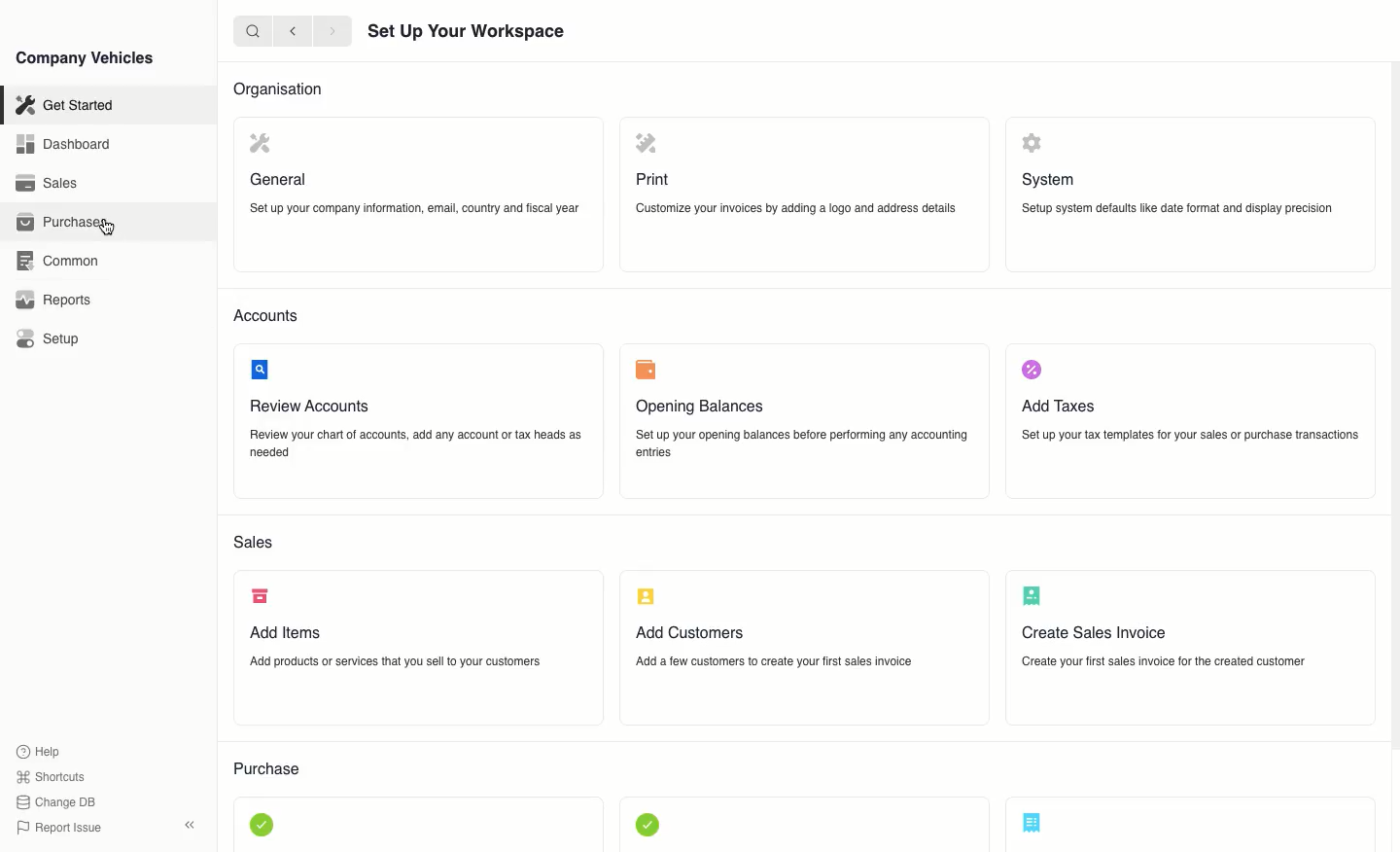 The width and height of the screenshot is (1400, 852). What do you see at coordinates (43, 751) in the screenshot?
I see `Help` at bounding box center [43, 751].